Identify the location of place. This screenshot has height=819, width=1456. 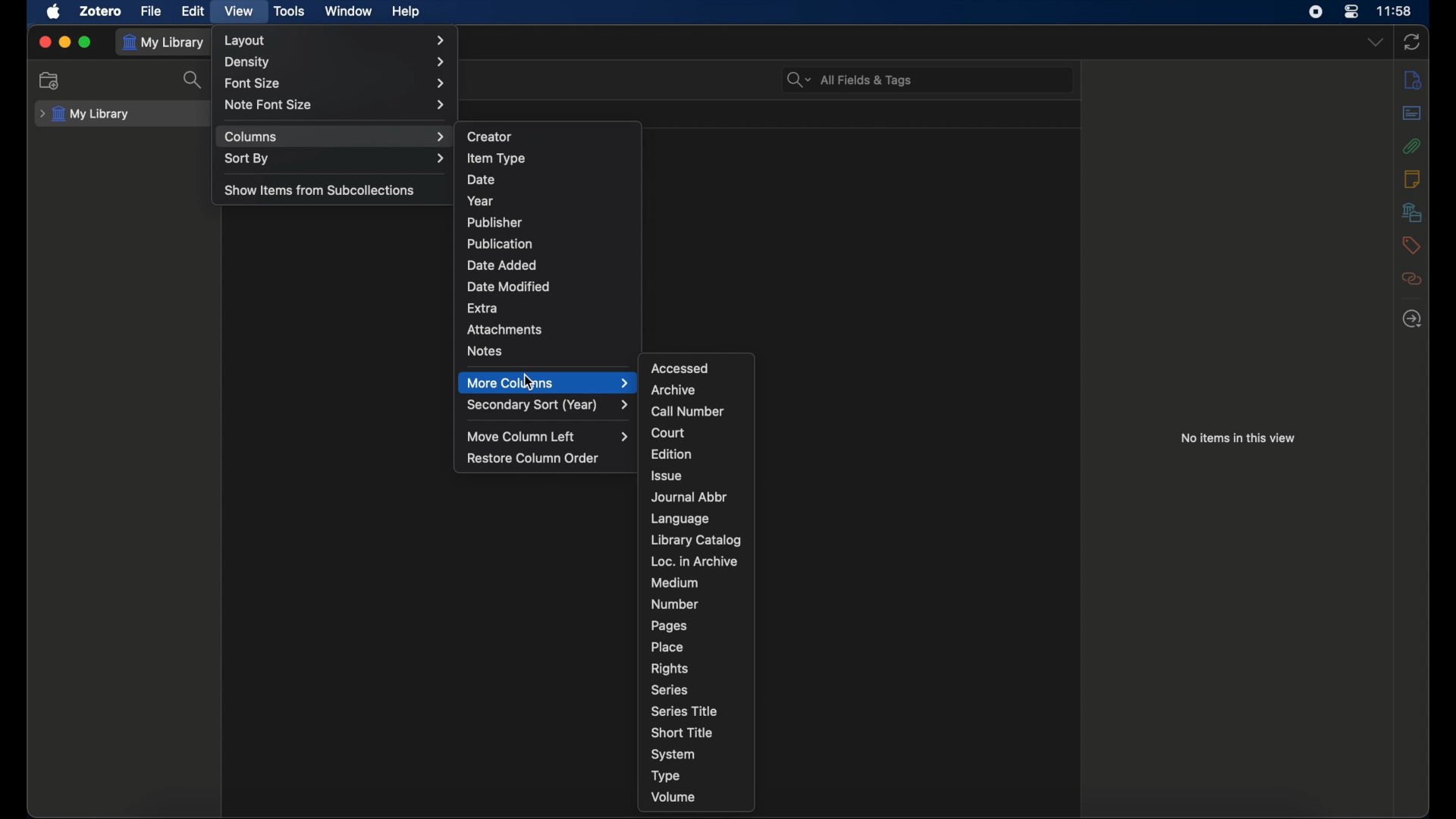
(667, 646).